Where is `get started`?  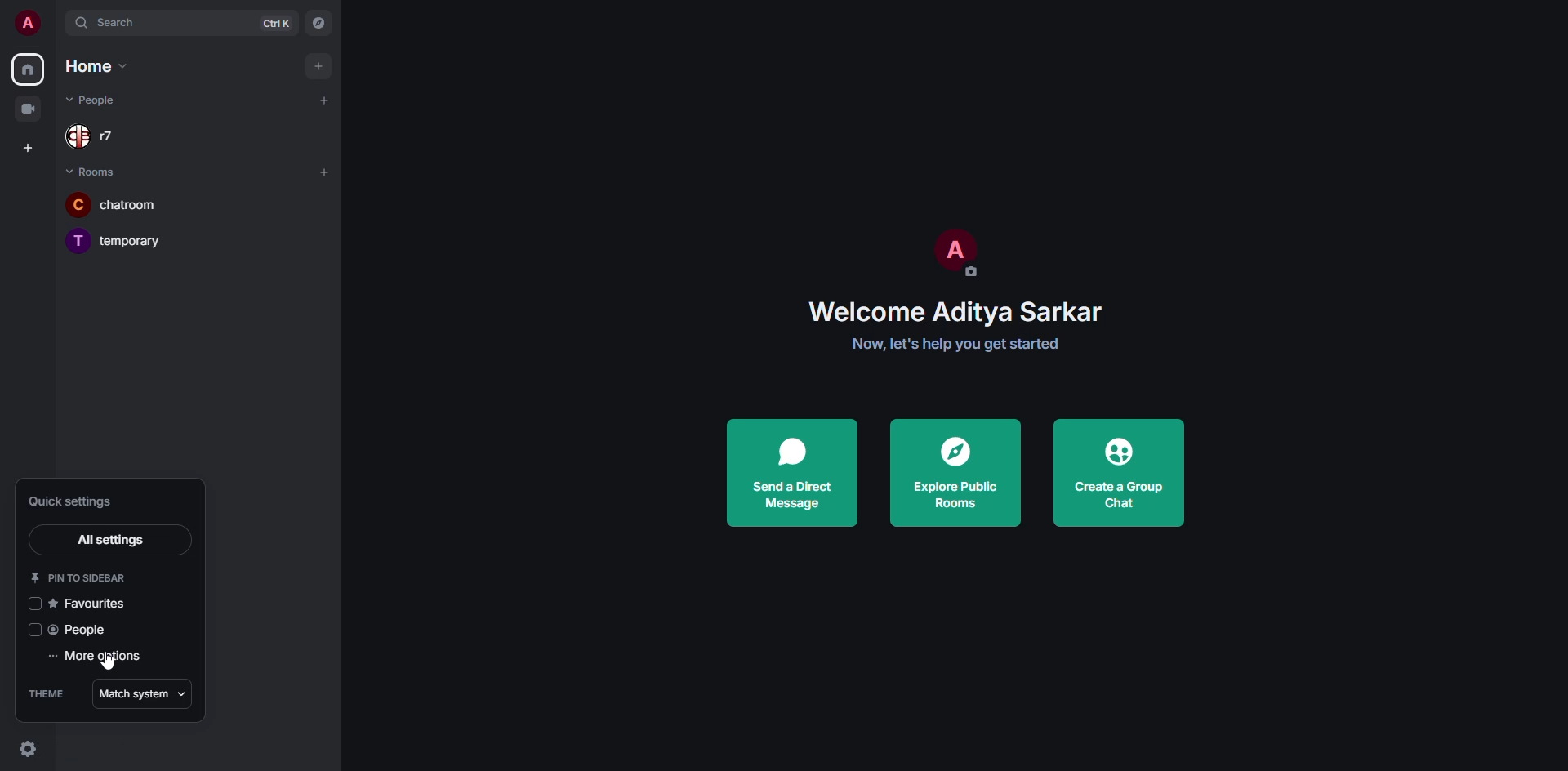 get started is located at coordinates (956, 344).